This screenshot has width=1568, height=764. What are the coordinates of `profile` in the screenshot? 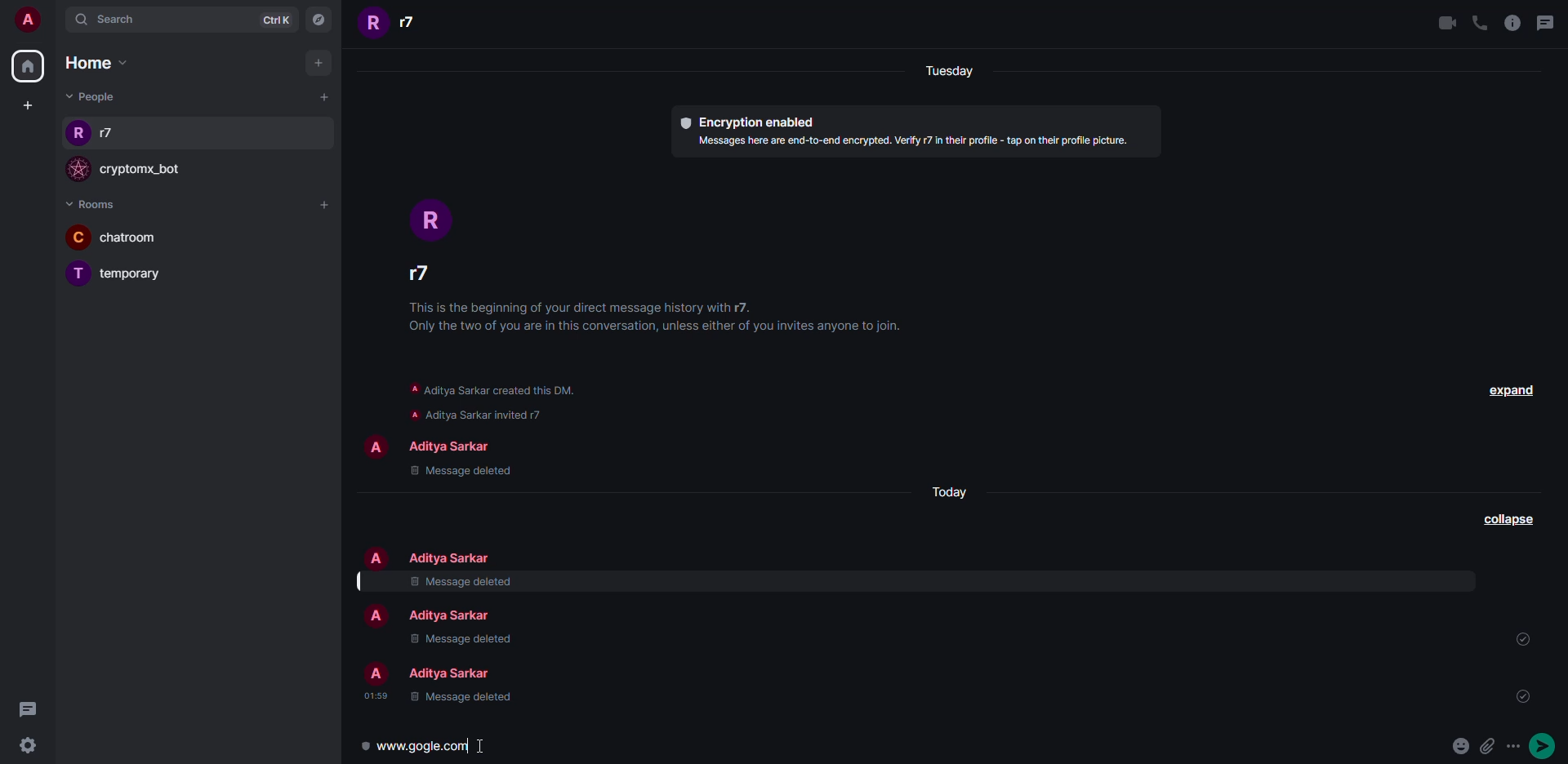 It's located at (376, 557).